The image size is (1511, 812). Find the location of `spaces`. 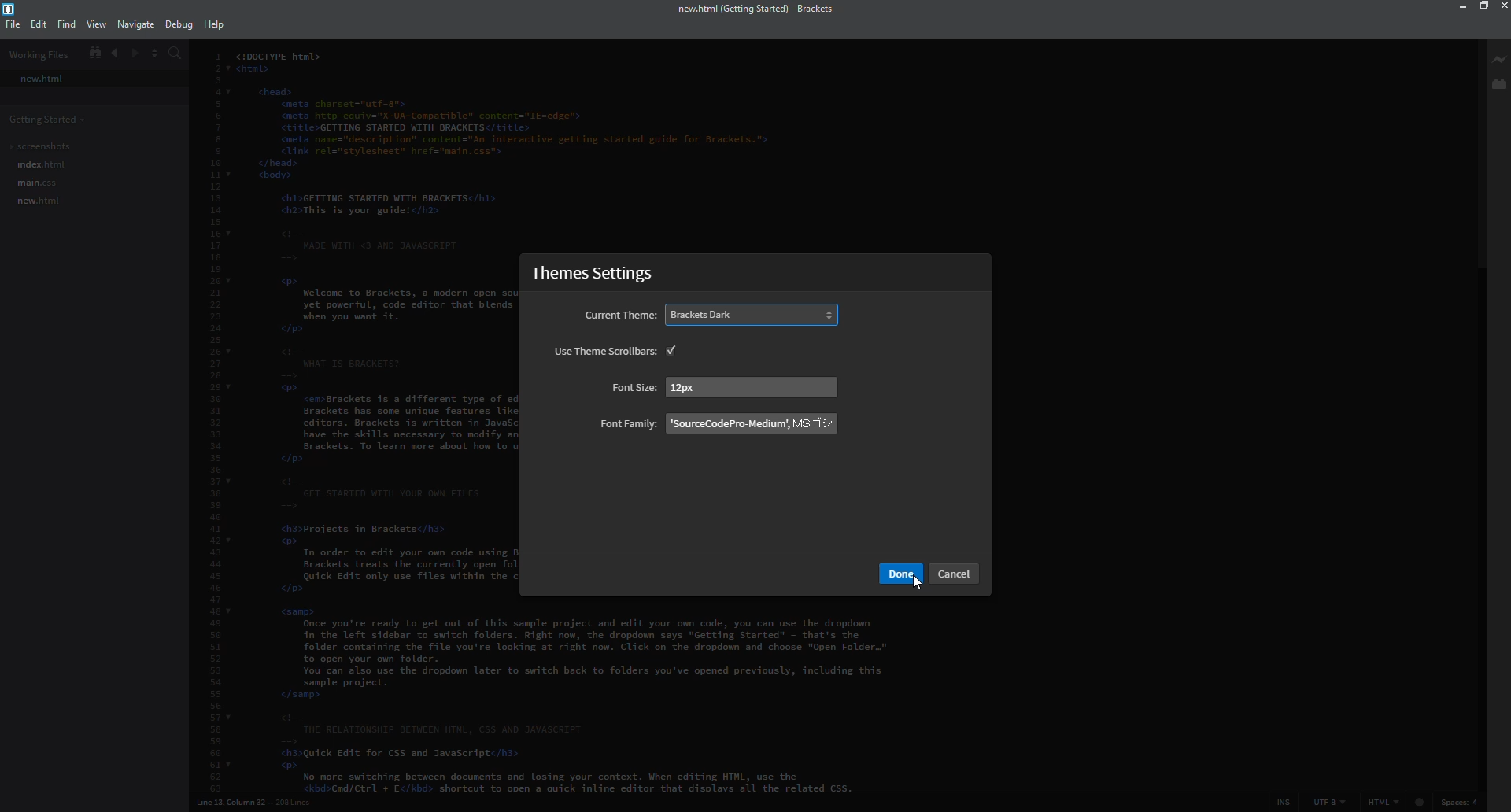

spaces is located at coordinates (1457, 802).